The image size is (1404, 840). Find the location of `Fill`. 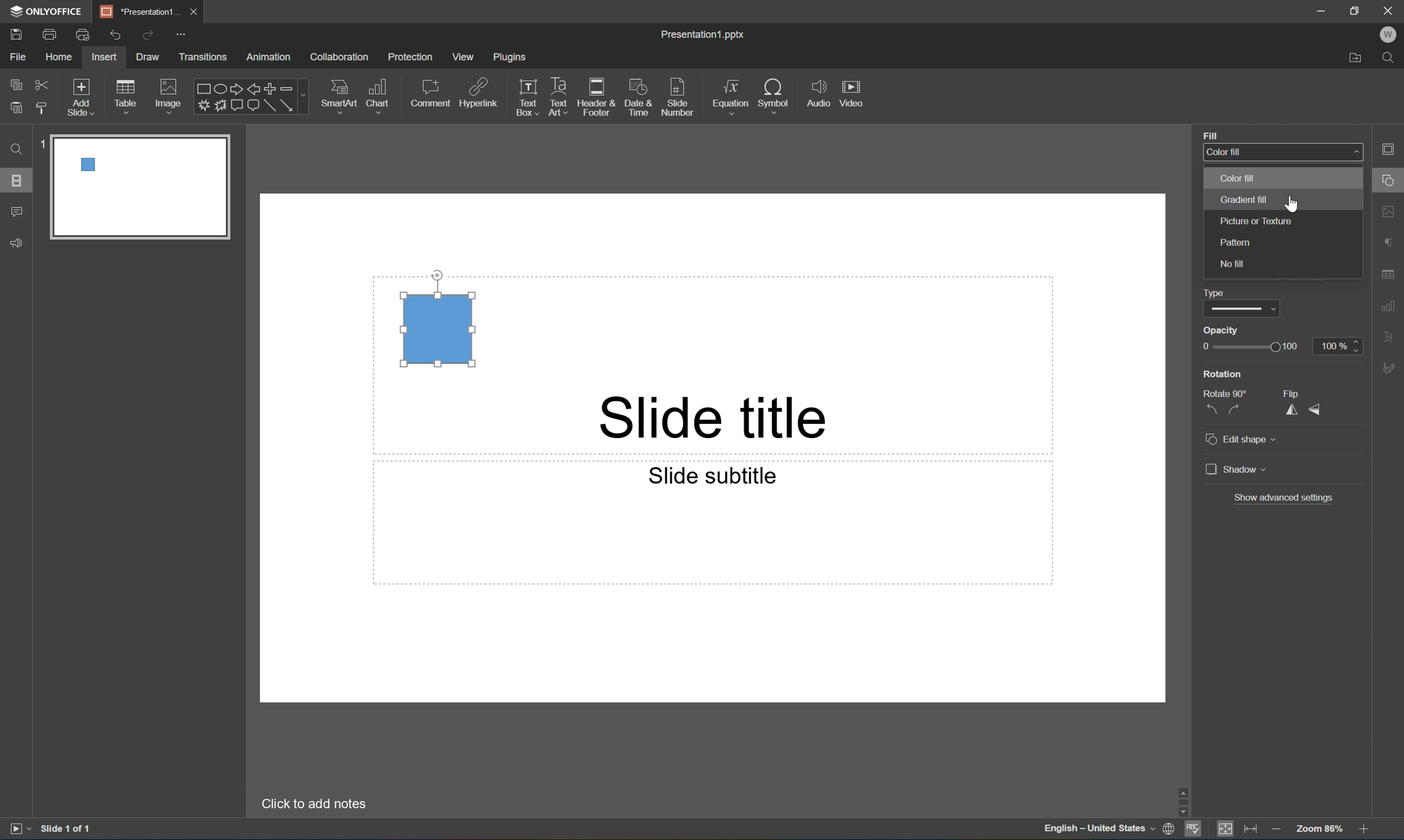

Fill is located at coordinates (1210, 135).